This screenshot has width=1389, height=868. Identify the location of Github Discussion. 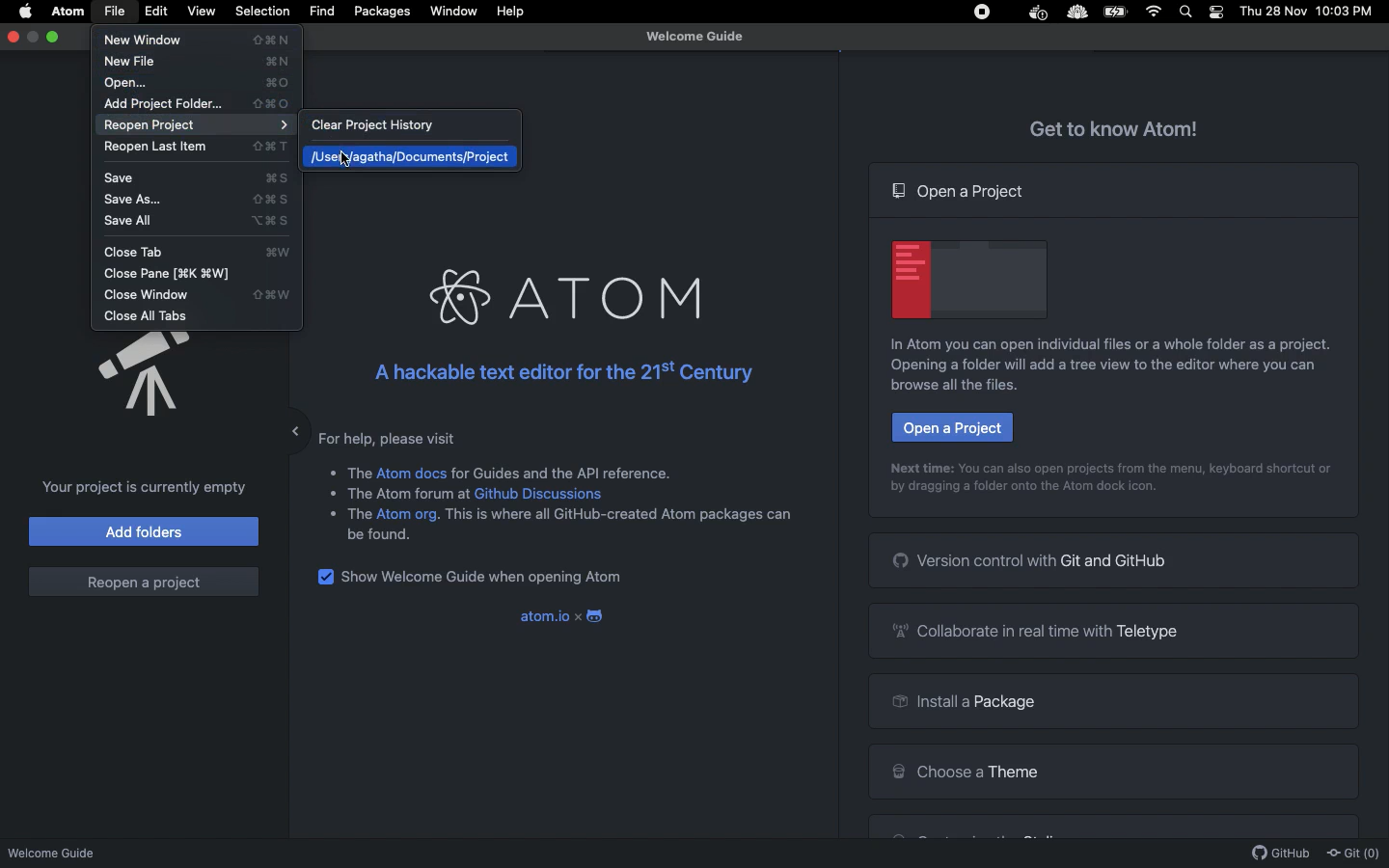
(542, 494).